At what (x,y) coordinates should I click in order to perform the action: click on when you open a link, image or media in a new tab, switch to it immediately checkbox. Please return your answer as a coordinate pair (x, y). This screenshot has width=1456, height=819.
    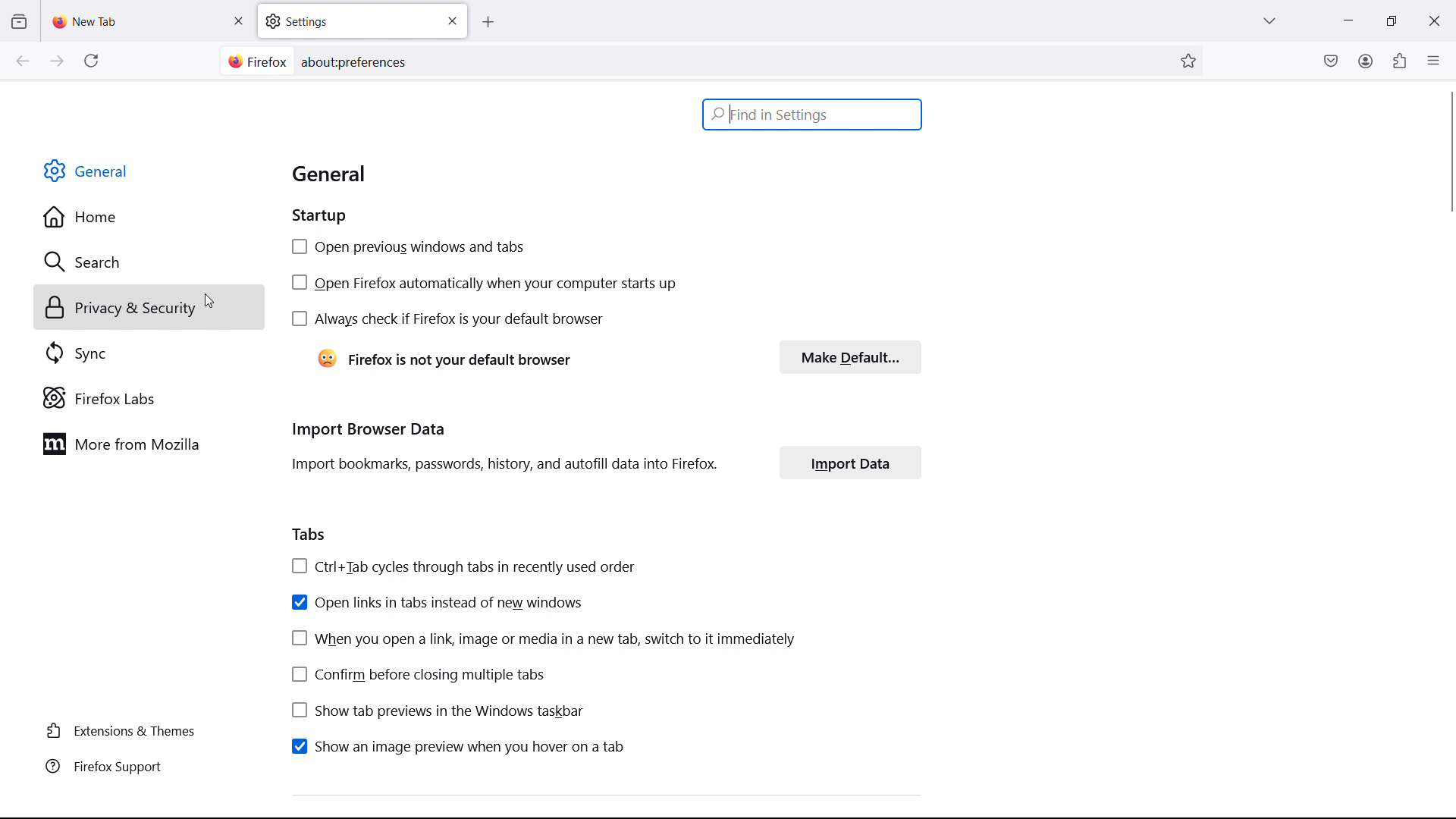
    Looking at the image, I should click on (541, 638).